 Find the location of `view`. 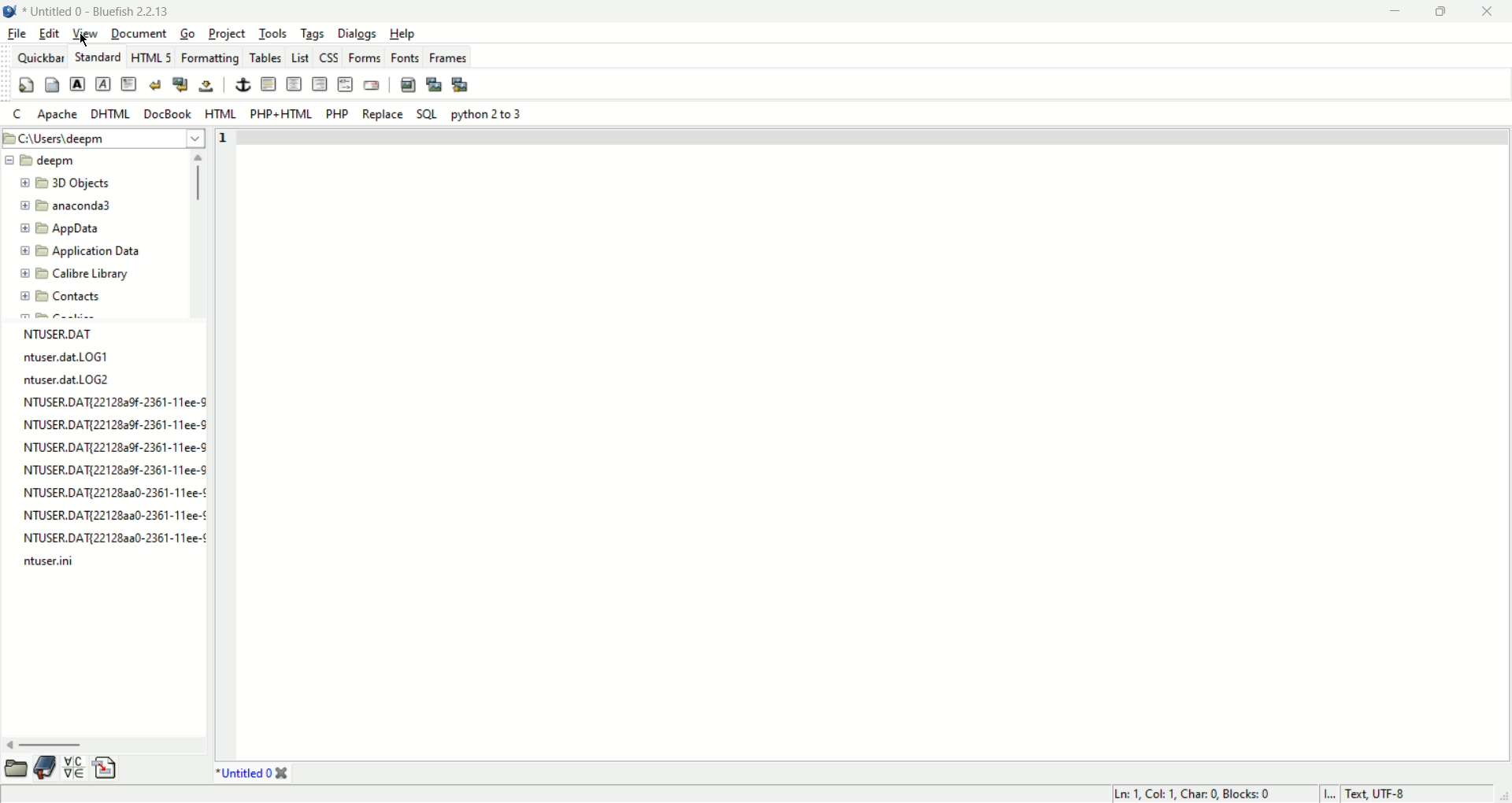

view is located at coordinates (86, 33).